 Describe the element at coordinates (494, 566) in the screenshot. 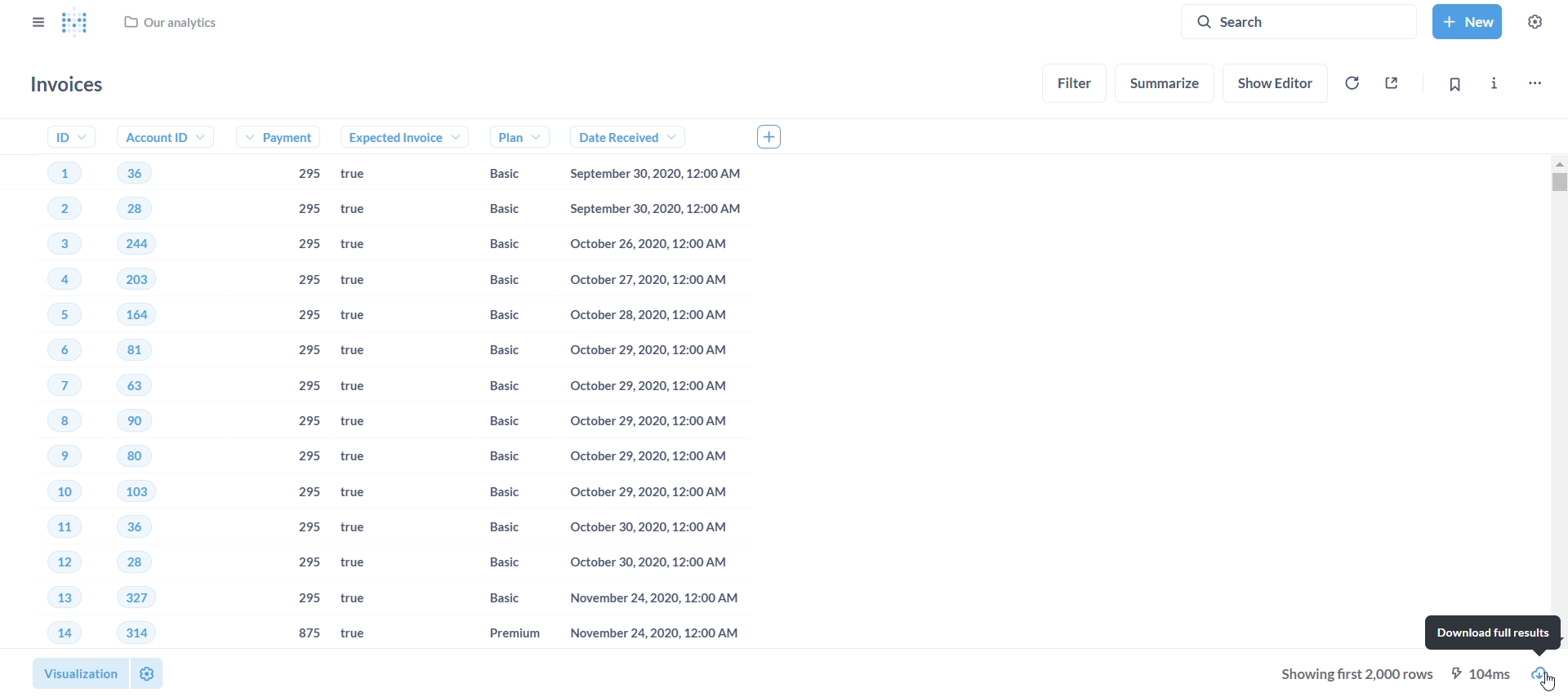

I see `Basic` at that location.